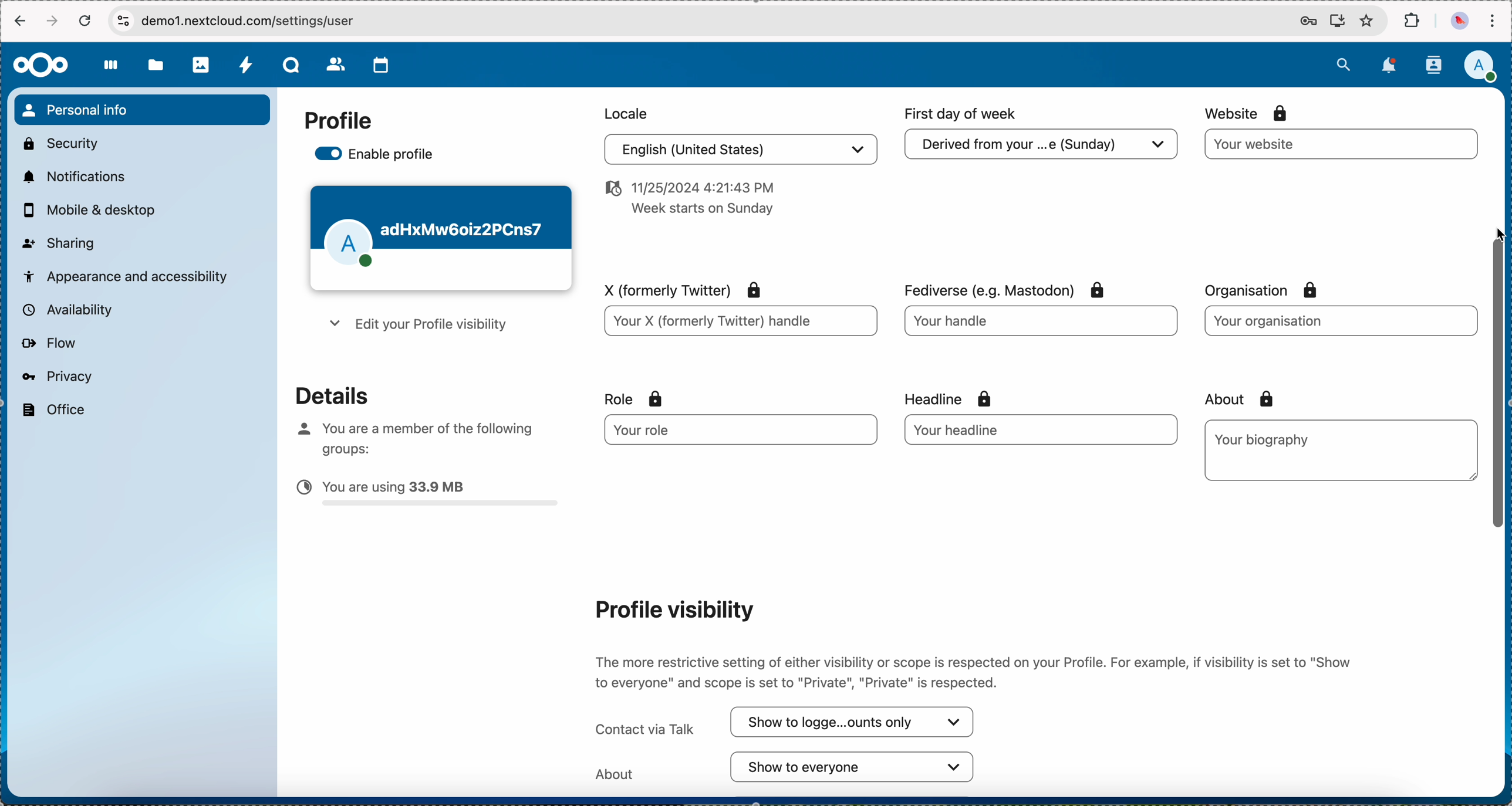 The width and height of the screenshot is (1512, 806). What do you see at coordinates (737, 151) in the screenshot?
I see `english` at bounding box center [737, 151].